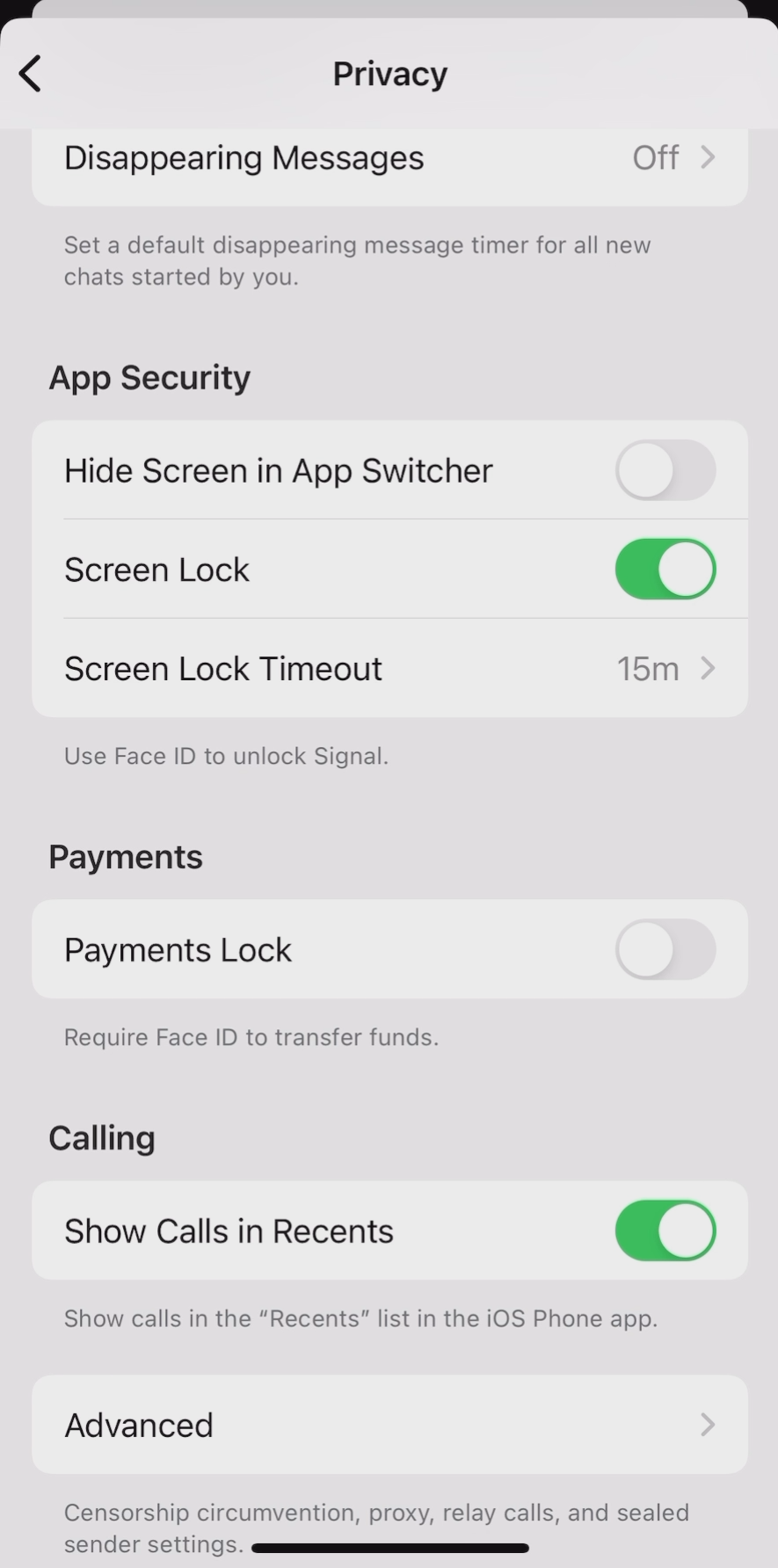 The width and height of the screenshot is (778, 1568). I want to click on Hide Screen in App Switcher, so click(396, 470).